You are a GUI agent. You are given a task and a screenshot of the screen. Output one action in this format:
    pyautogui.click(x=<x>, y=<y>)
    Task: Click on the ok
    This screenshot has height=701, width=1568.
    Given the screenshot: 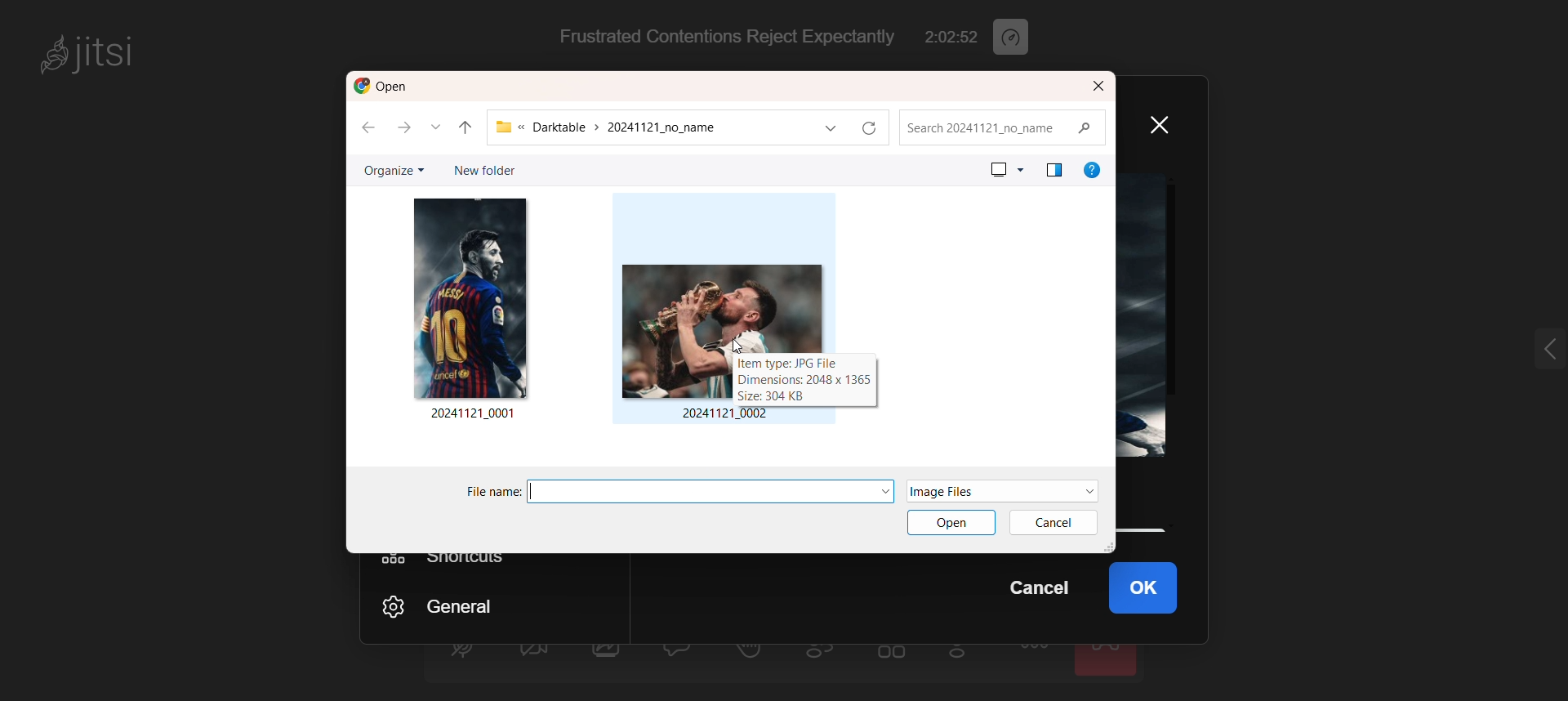 What is the action you would take?
    pyautogui.click(x=1156, y=590)
    